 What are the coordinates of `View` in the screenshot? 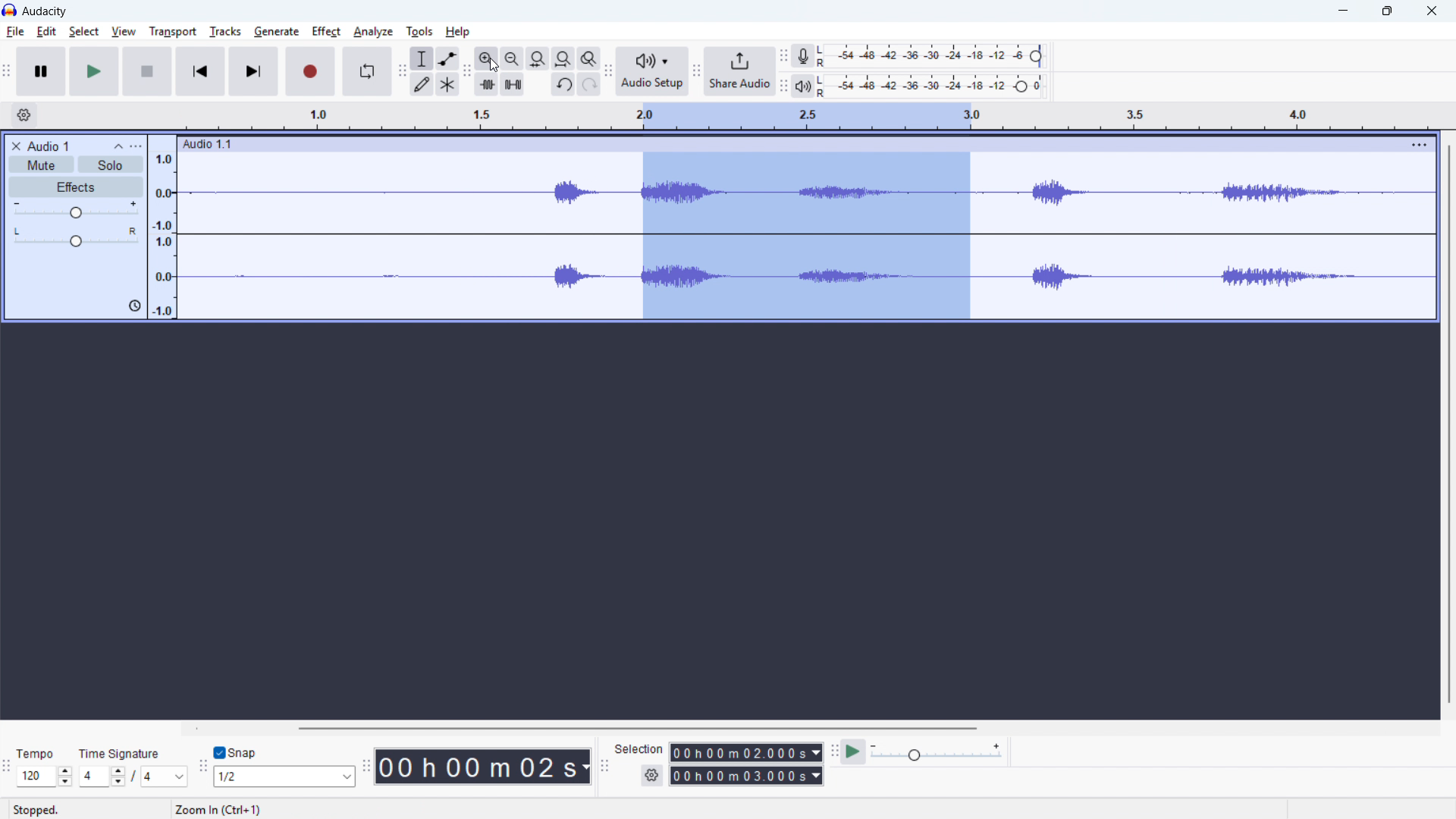 It's located at (123, 32).